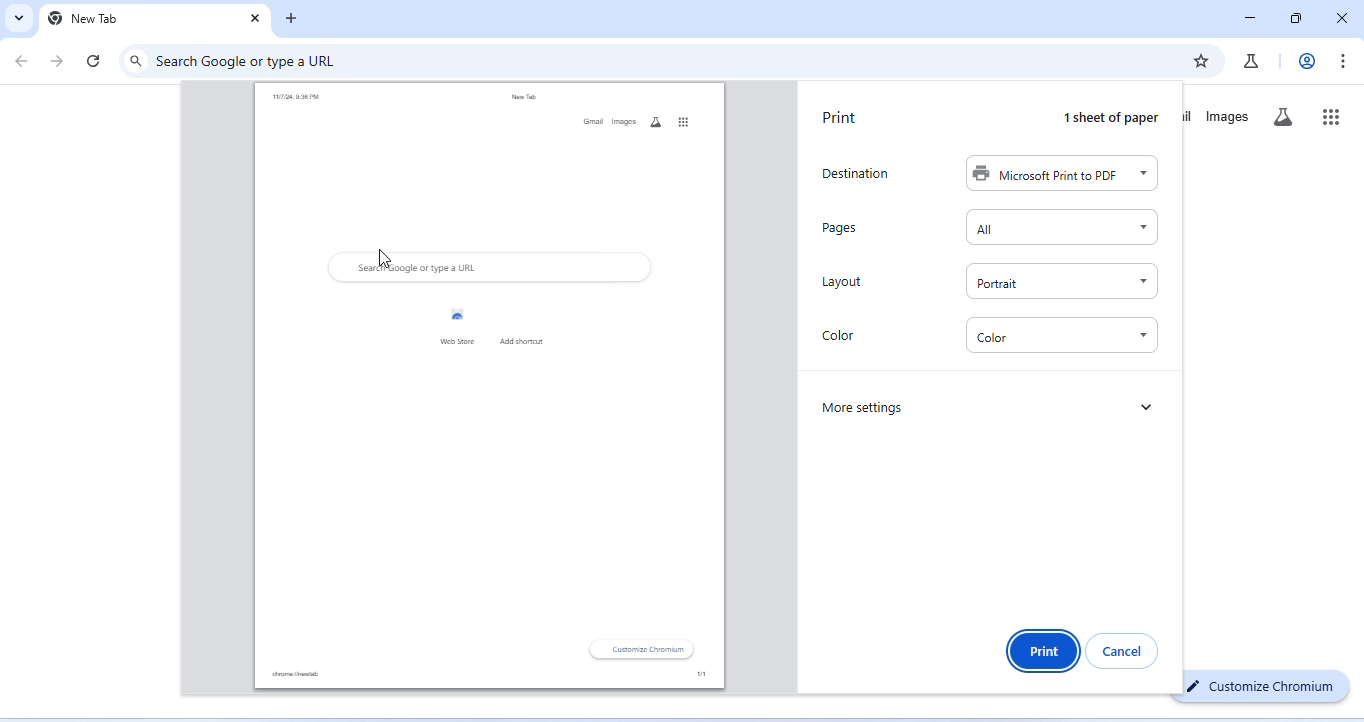 This screenshot has height=722, width=1364. I want to click on search tabs, so click(17, 18).